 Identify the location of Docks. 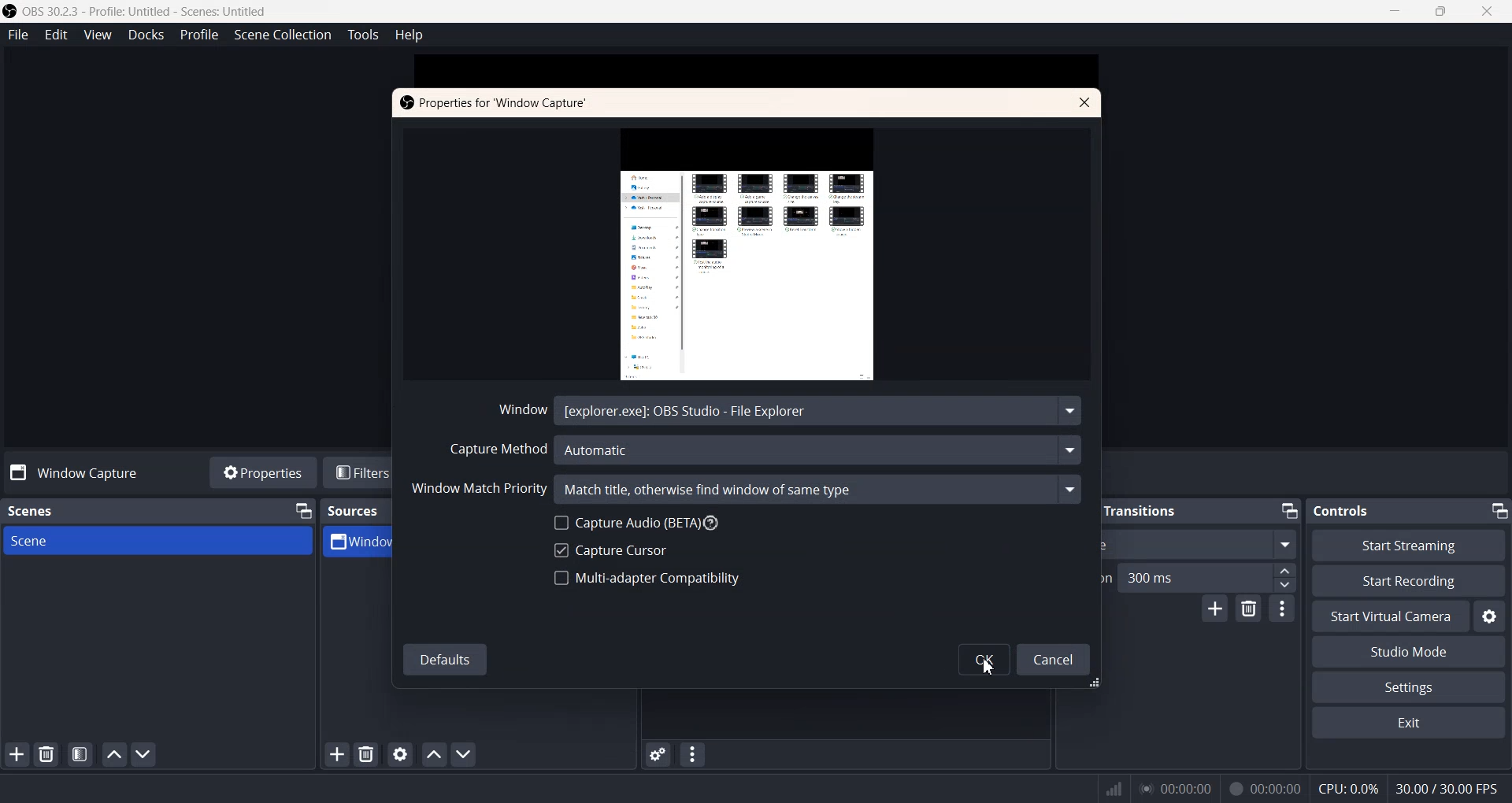
(146, 35).